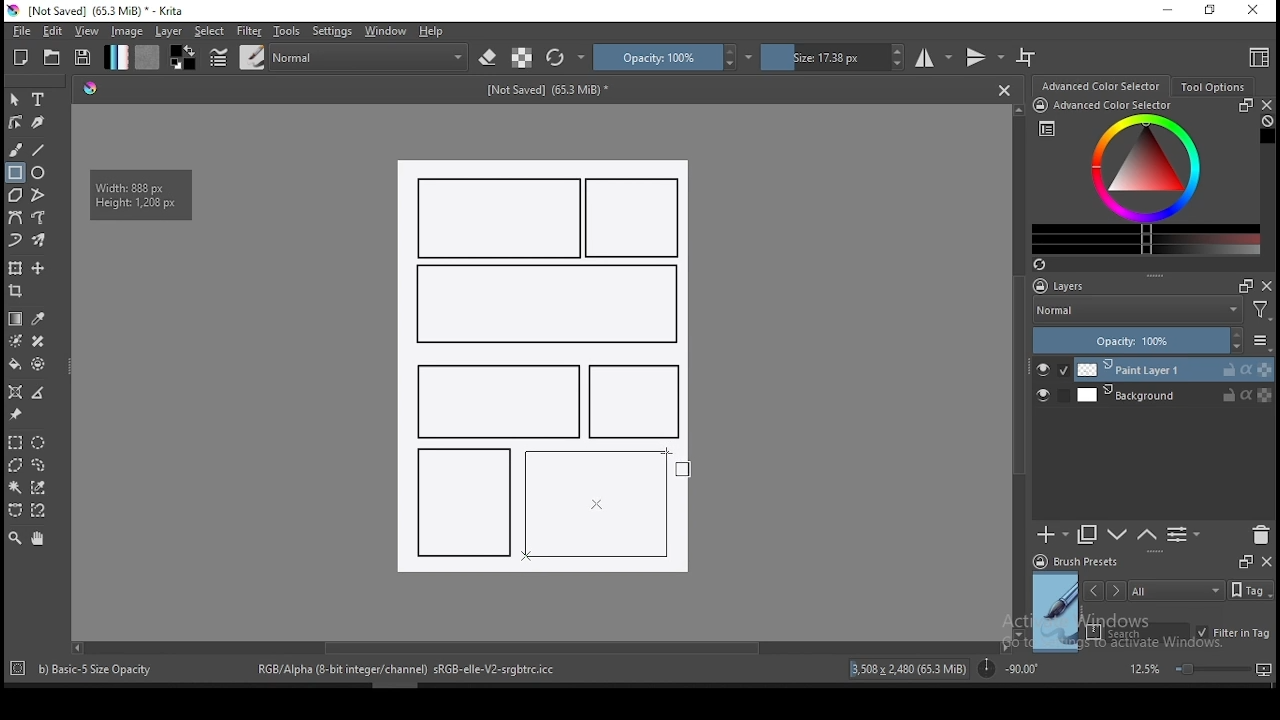 The width and height of the screenshot is (1280, 720). Describe the element at coordinates (38, 341) in the screenshot. I see `smart patch tool` at that location.